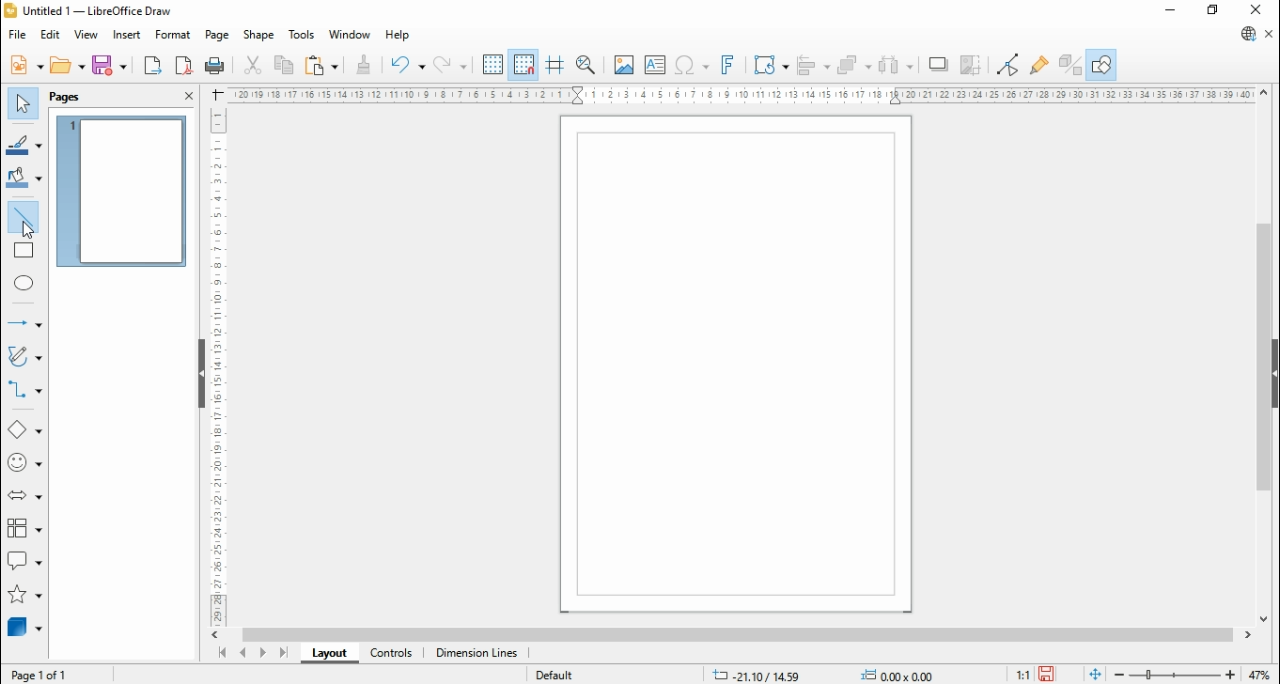  Describe the element at coordinates (493, 64) in the screenshot. I see `show grids` at that location.